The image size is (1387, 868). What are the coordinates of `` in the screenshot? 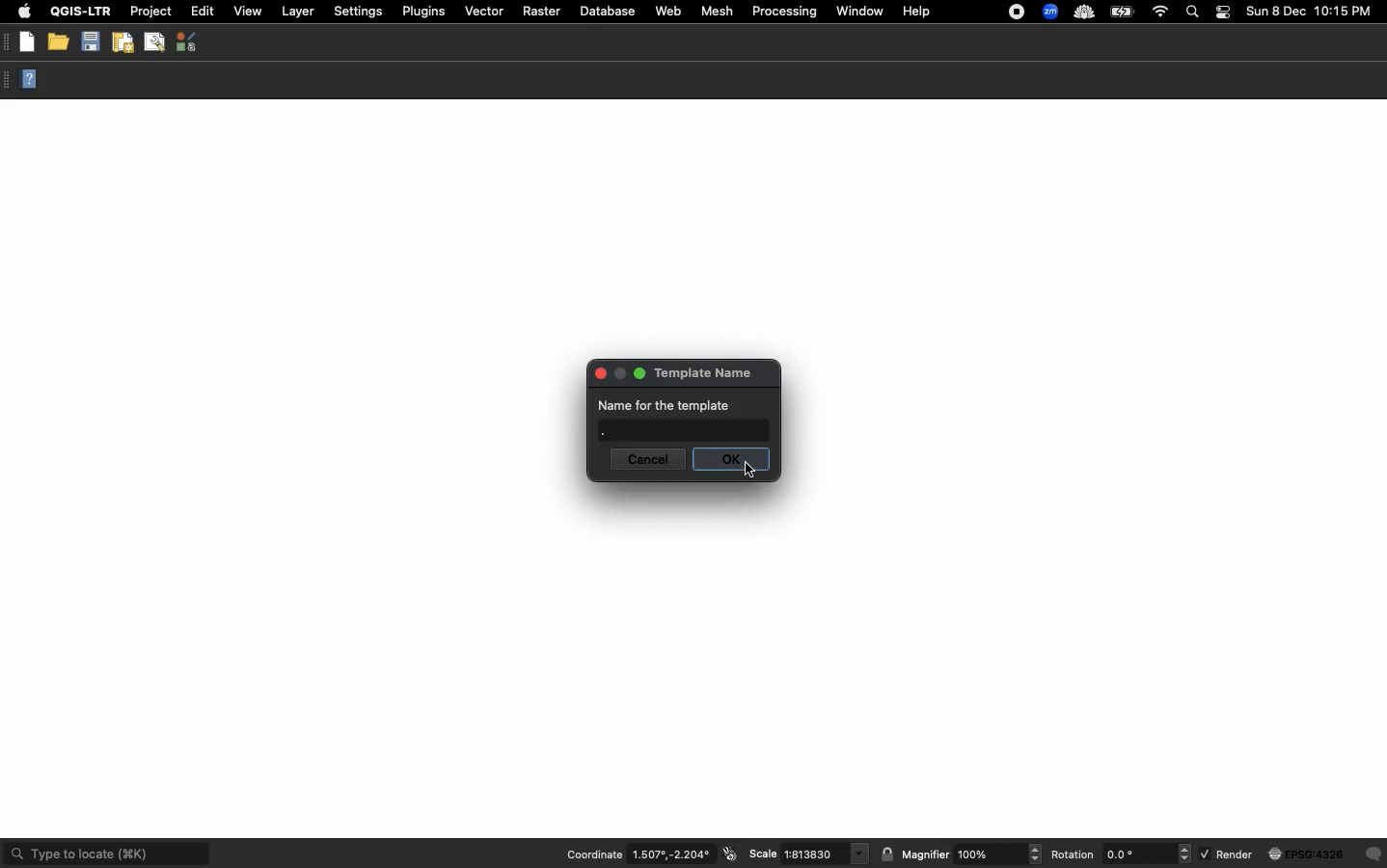 It's located at (1374, 854).